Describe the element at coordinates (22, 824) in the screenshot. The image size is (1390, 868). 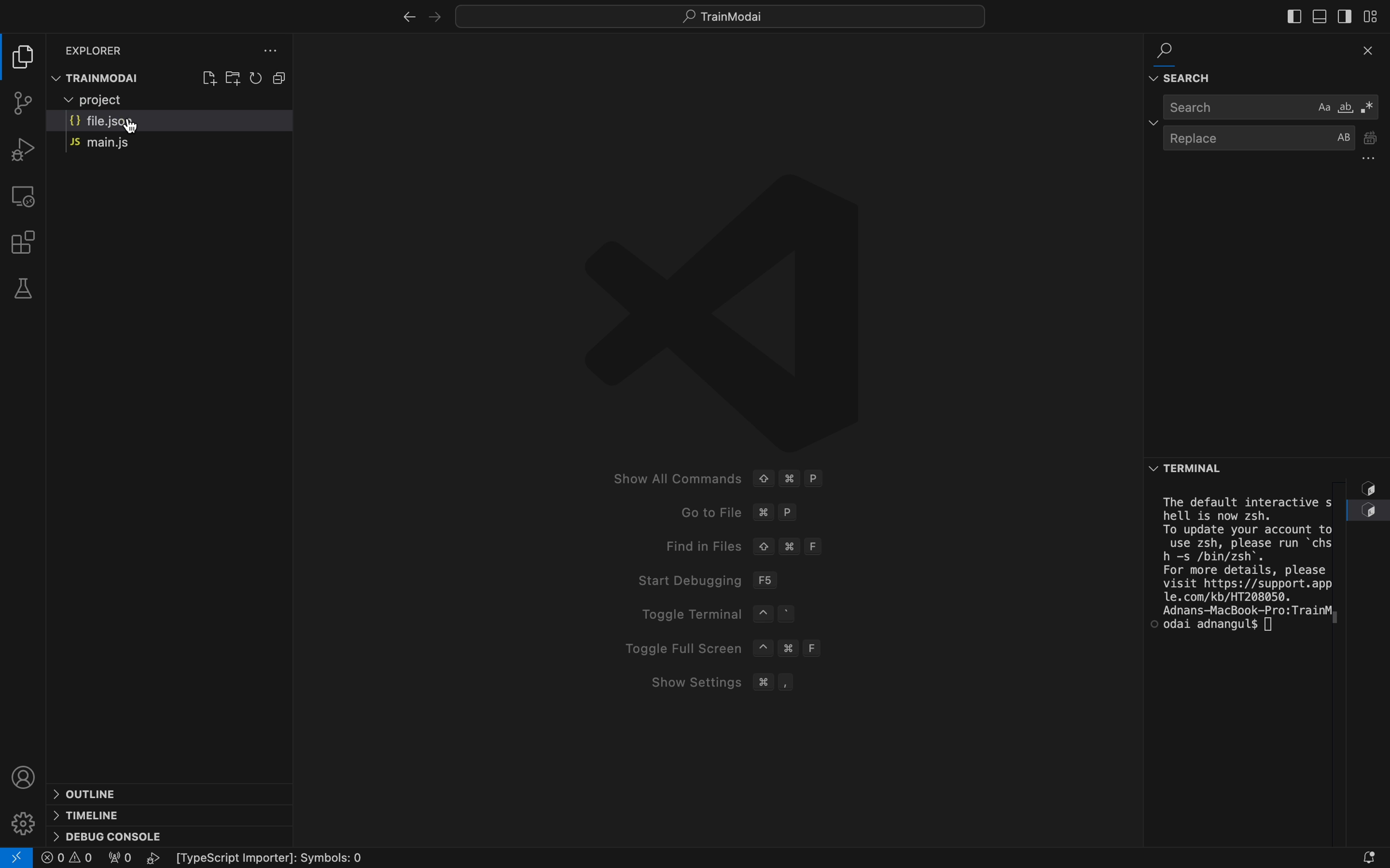
I see `Settings` at that location.